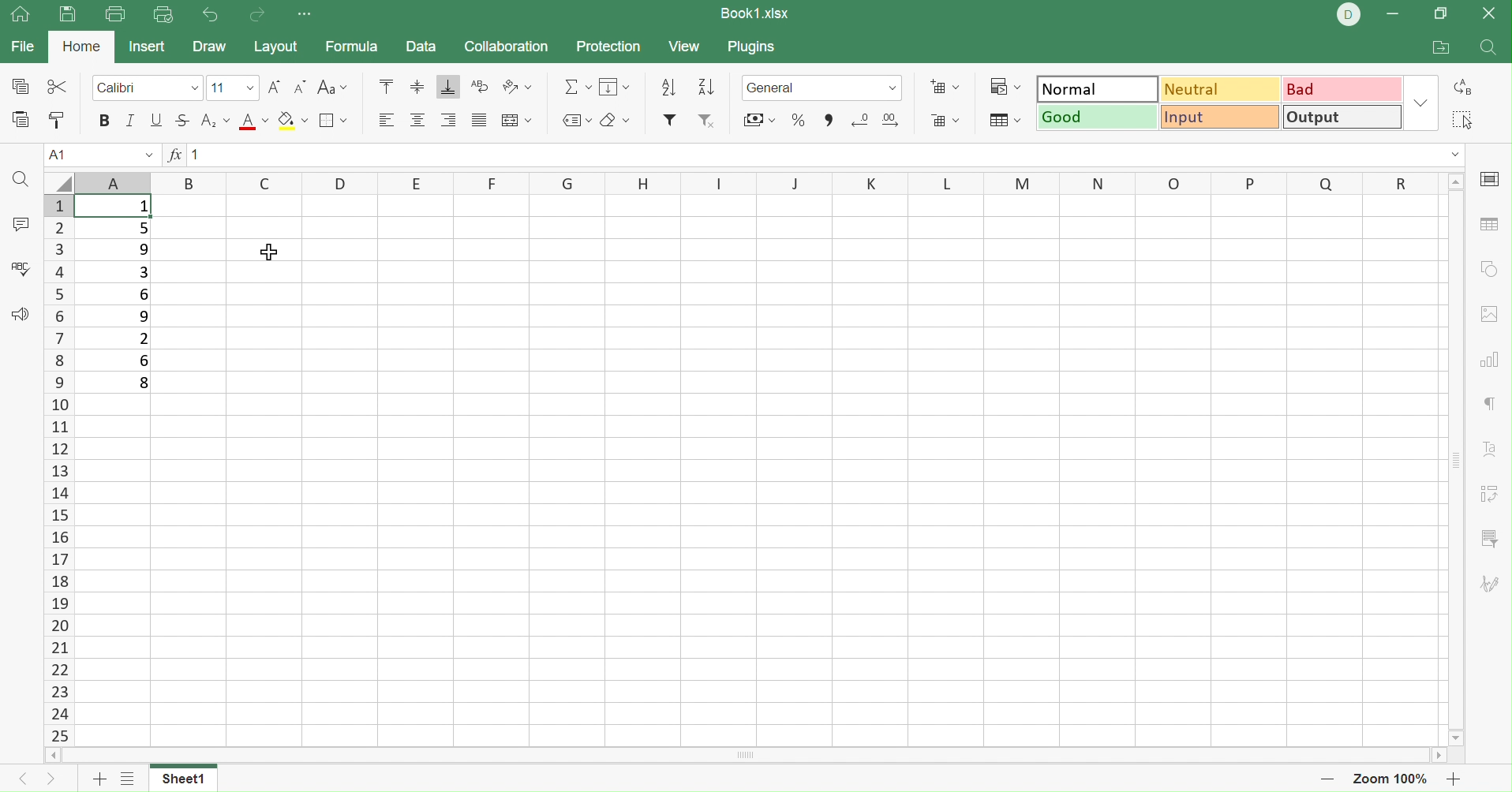  Describe the element at coordinates (421, 46) in the screenshot. I see `Data` at that location.